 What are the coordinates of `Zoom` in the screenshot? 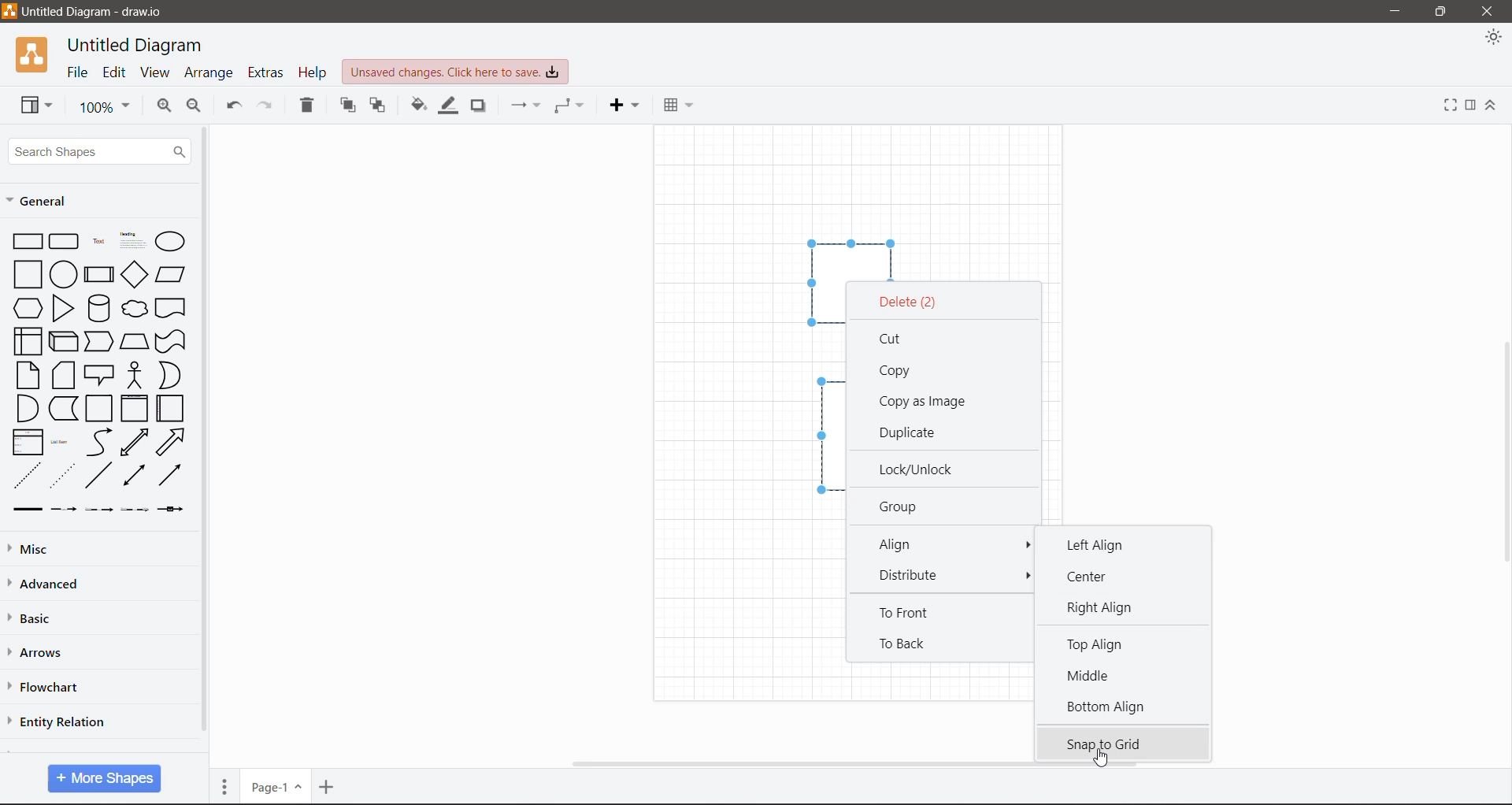 It's located at (102, 106).